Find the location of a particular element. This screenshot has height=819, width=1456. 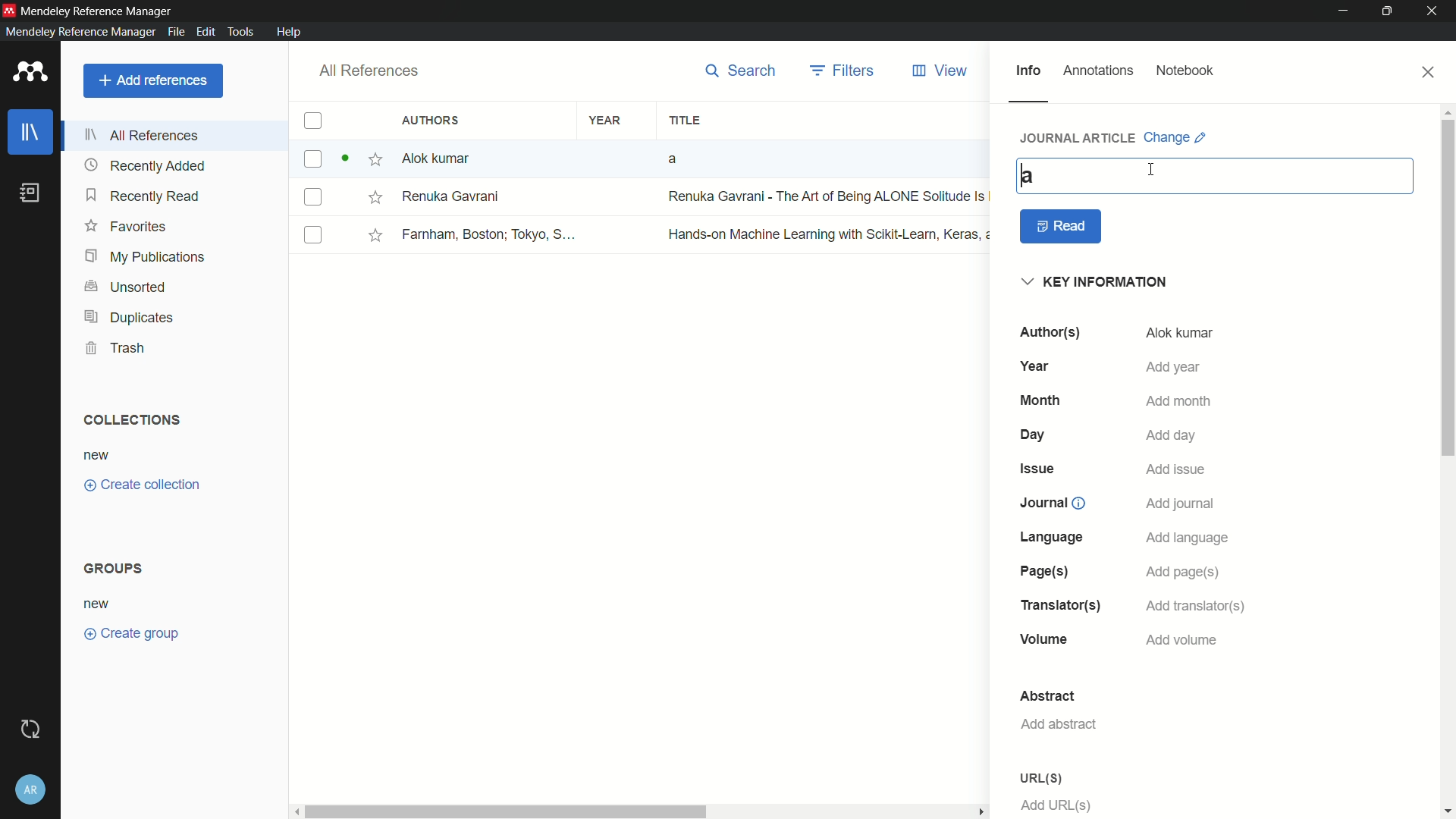

change is located at coordinates (1175, 137).